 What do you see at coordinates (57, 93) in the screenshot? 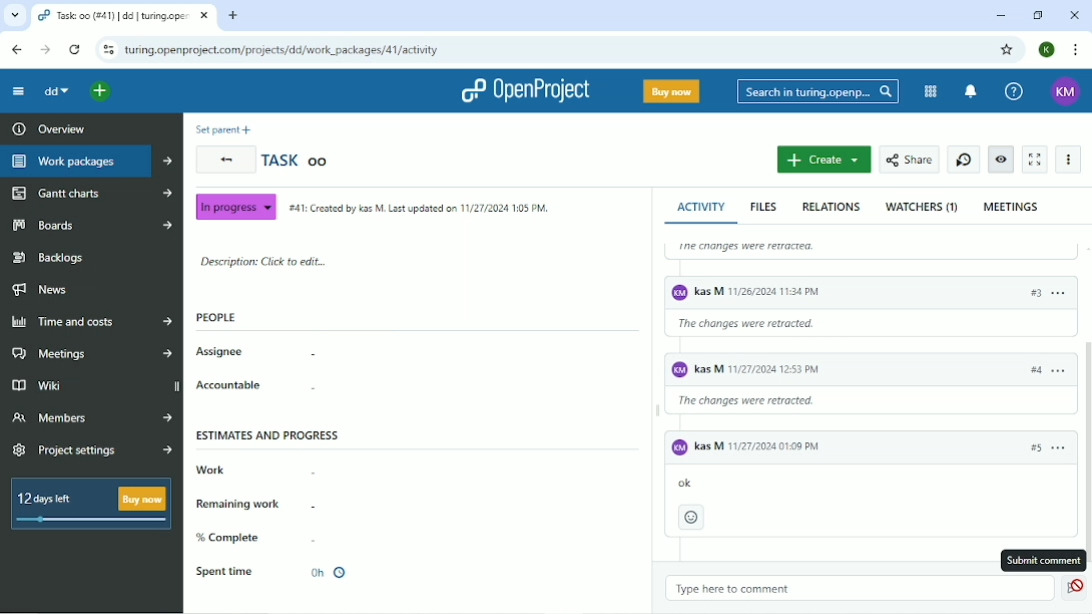
I see `dd` at bounding box center [57, 93].